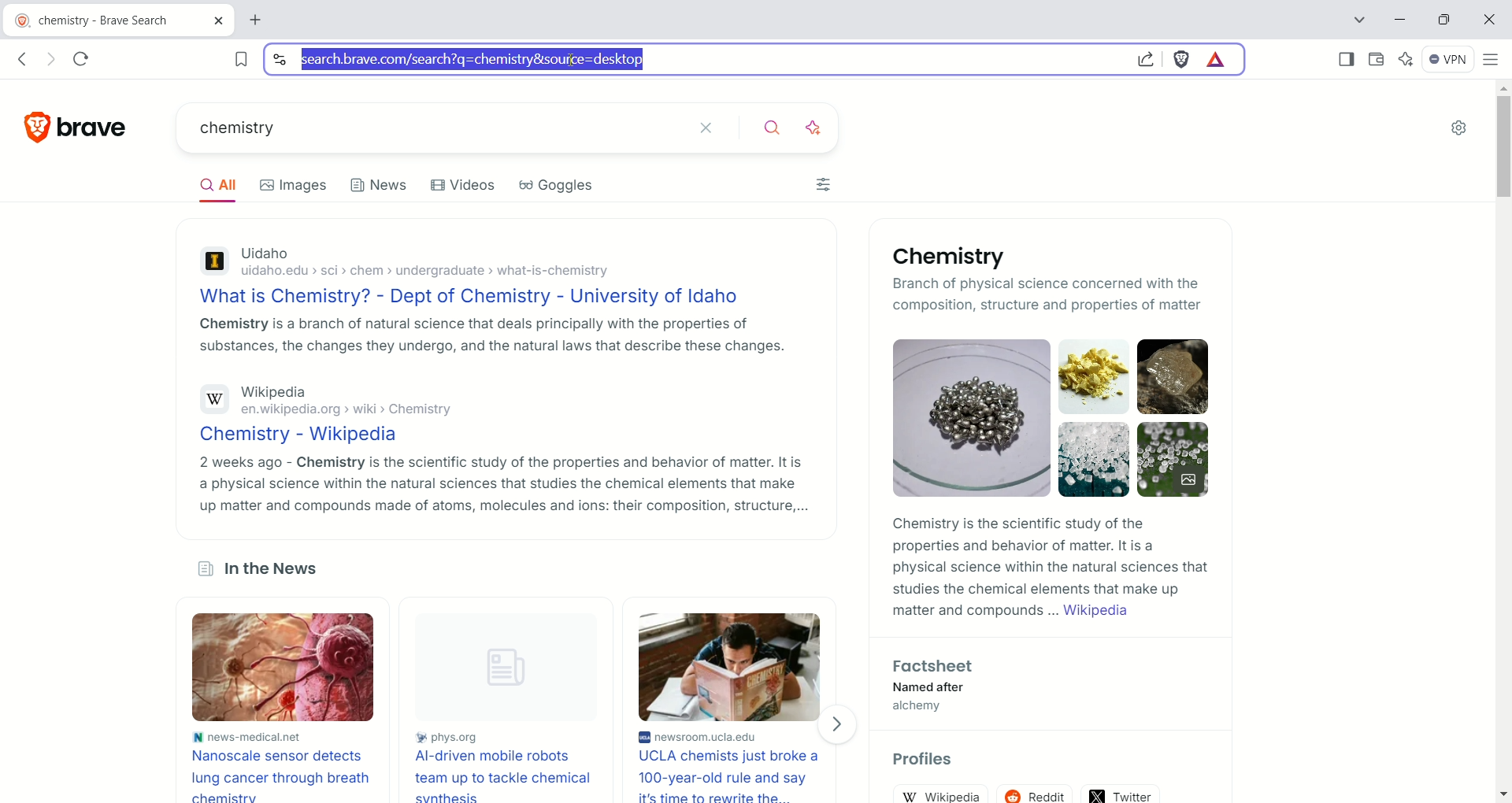  Describe the element at coordinates (1462, 127) in the screenshot. I see `settings` at that location.